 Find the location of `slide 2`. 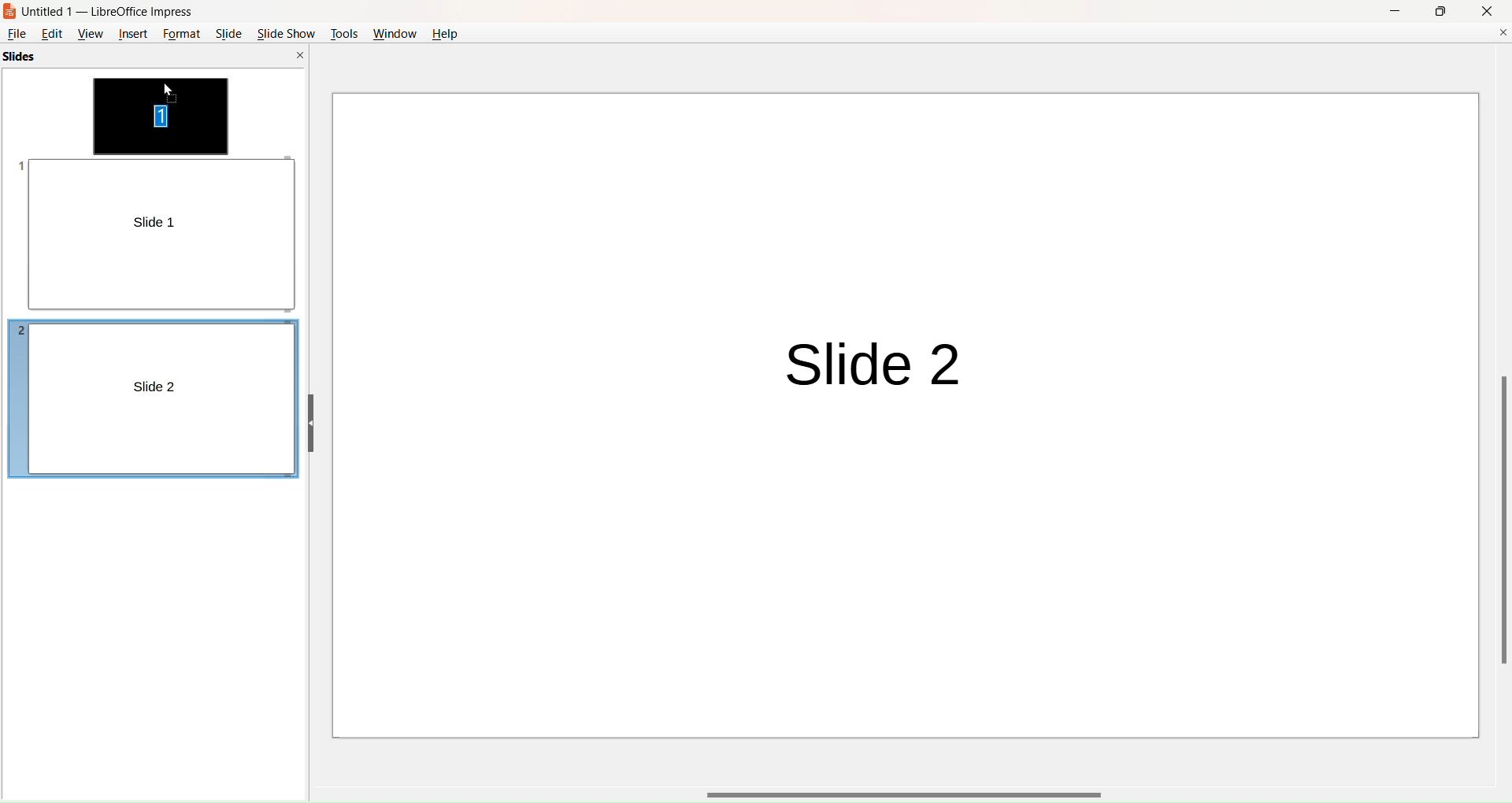

slide 2 is located at coordinates (156, 387).